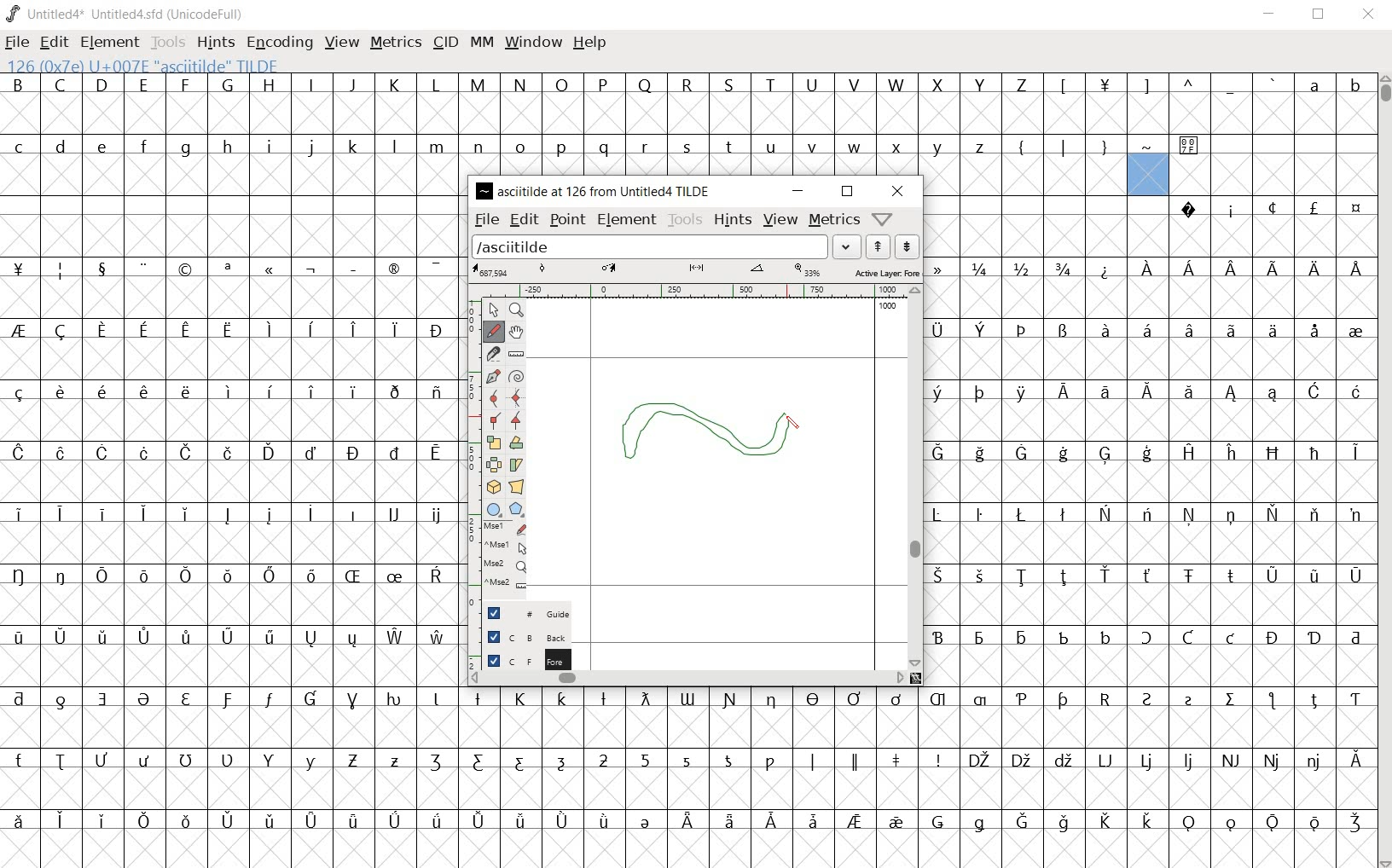  What do you see at coordinates (523, 220) in the screenshot?
I see `edit` at bounding box center [523, 220].